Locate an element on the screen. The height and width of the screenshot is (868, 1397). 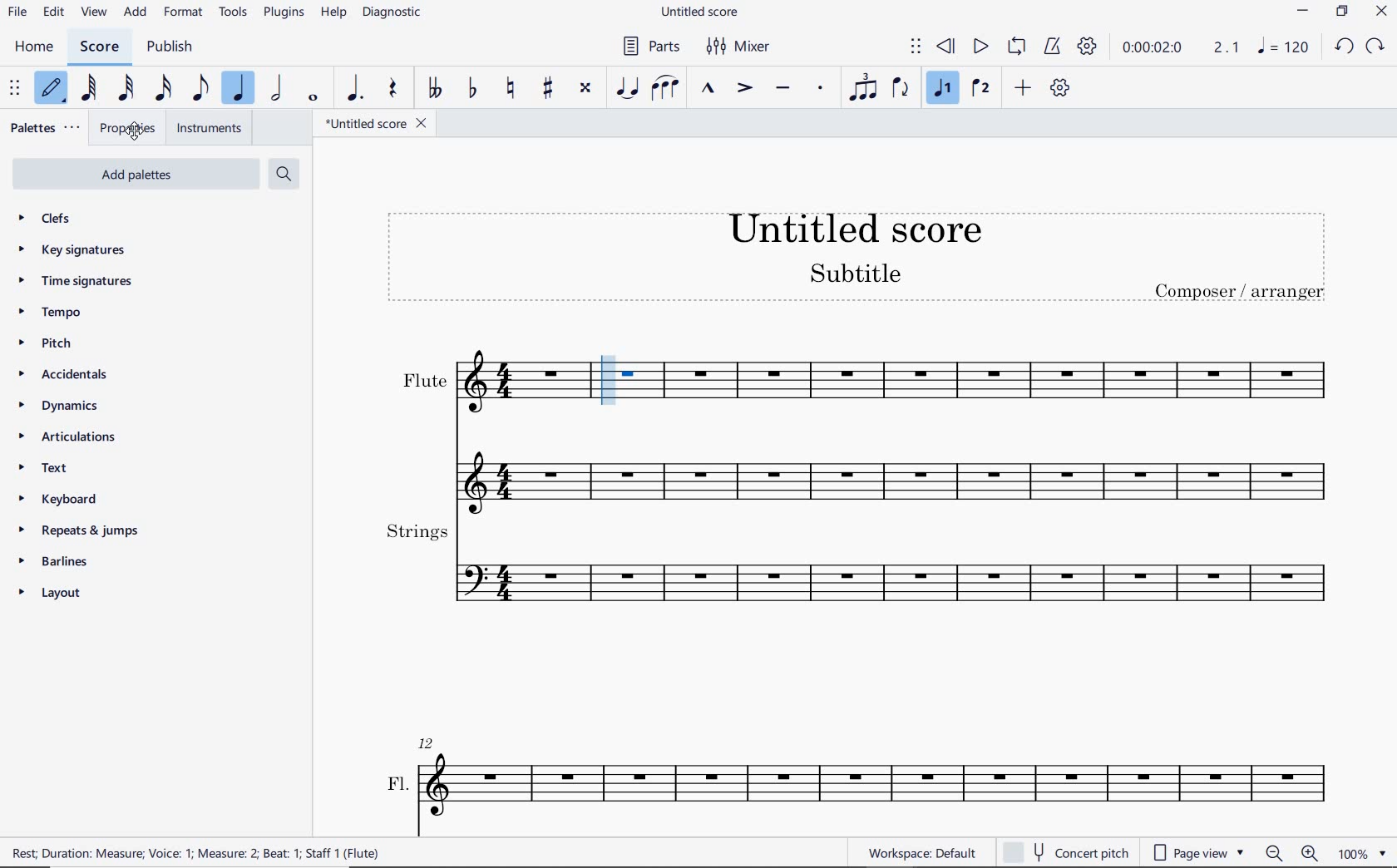
FILE NAME is located at coordinates (704, 12).